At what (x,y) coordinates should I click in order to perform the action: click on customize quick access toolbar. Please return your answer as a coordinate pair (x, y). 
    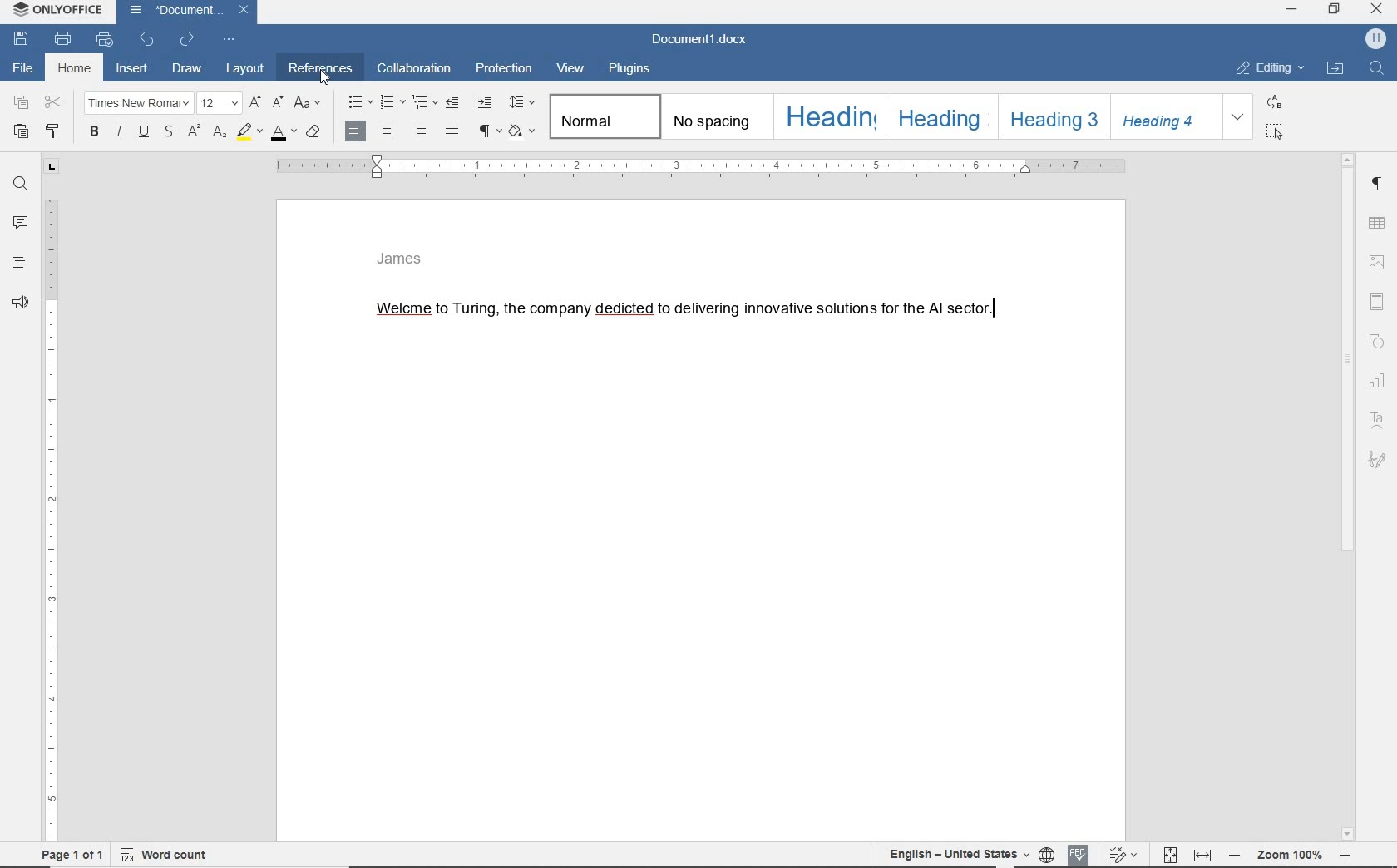
    Looking at the image, I should click on (227, 40).